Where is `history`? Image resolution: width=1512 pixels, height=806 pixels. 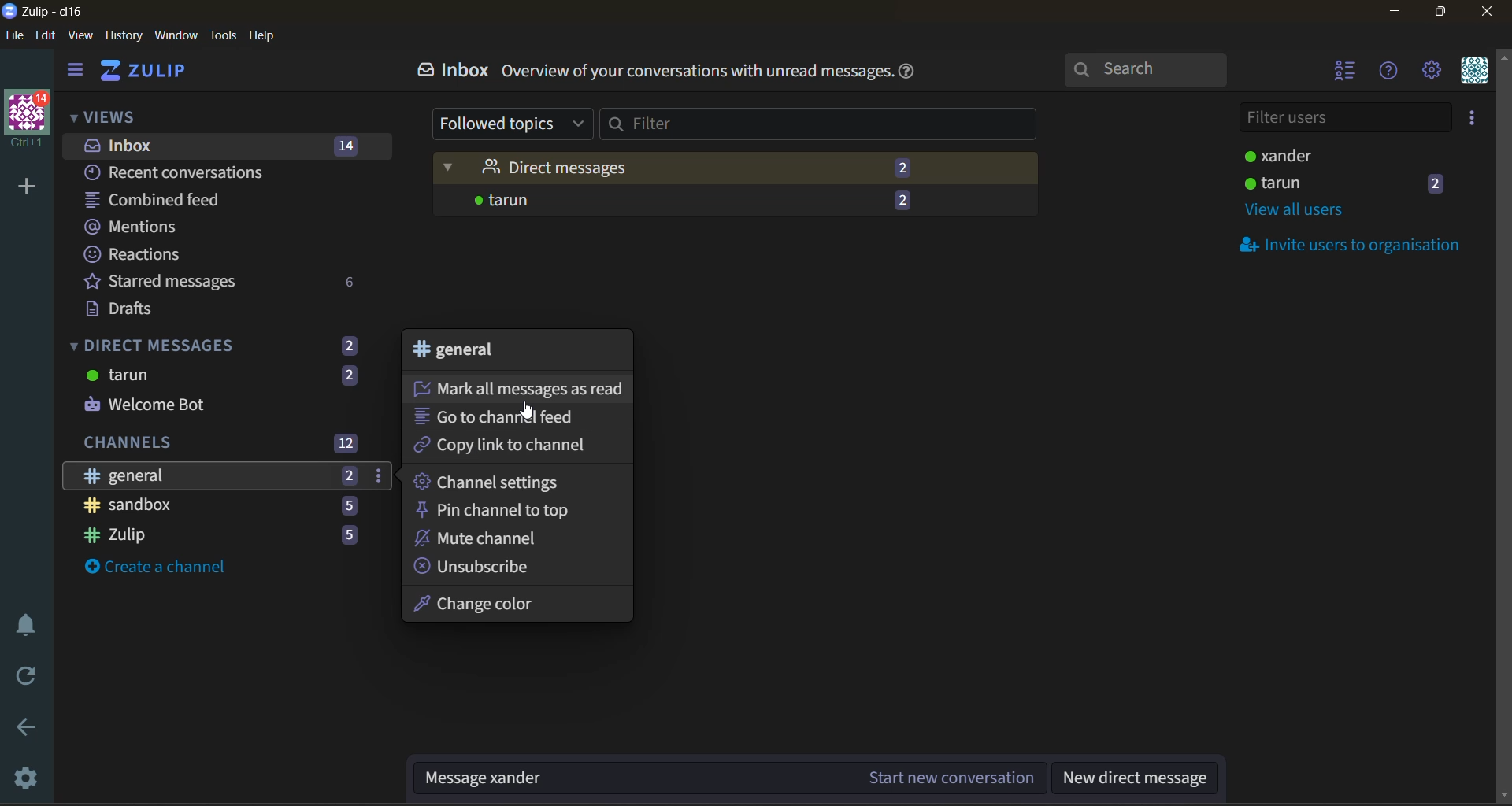
history is located at coordinates (126, 36).